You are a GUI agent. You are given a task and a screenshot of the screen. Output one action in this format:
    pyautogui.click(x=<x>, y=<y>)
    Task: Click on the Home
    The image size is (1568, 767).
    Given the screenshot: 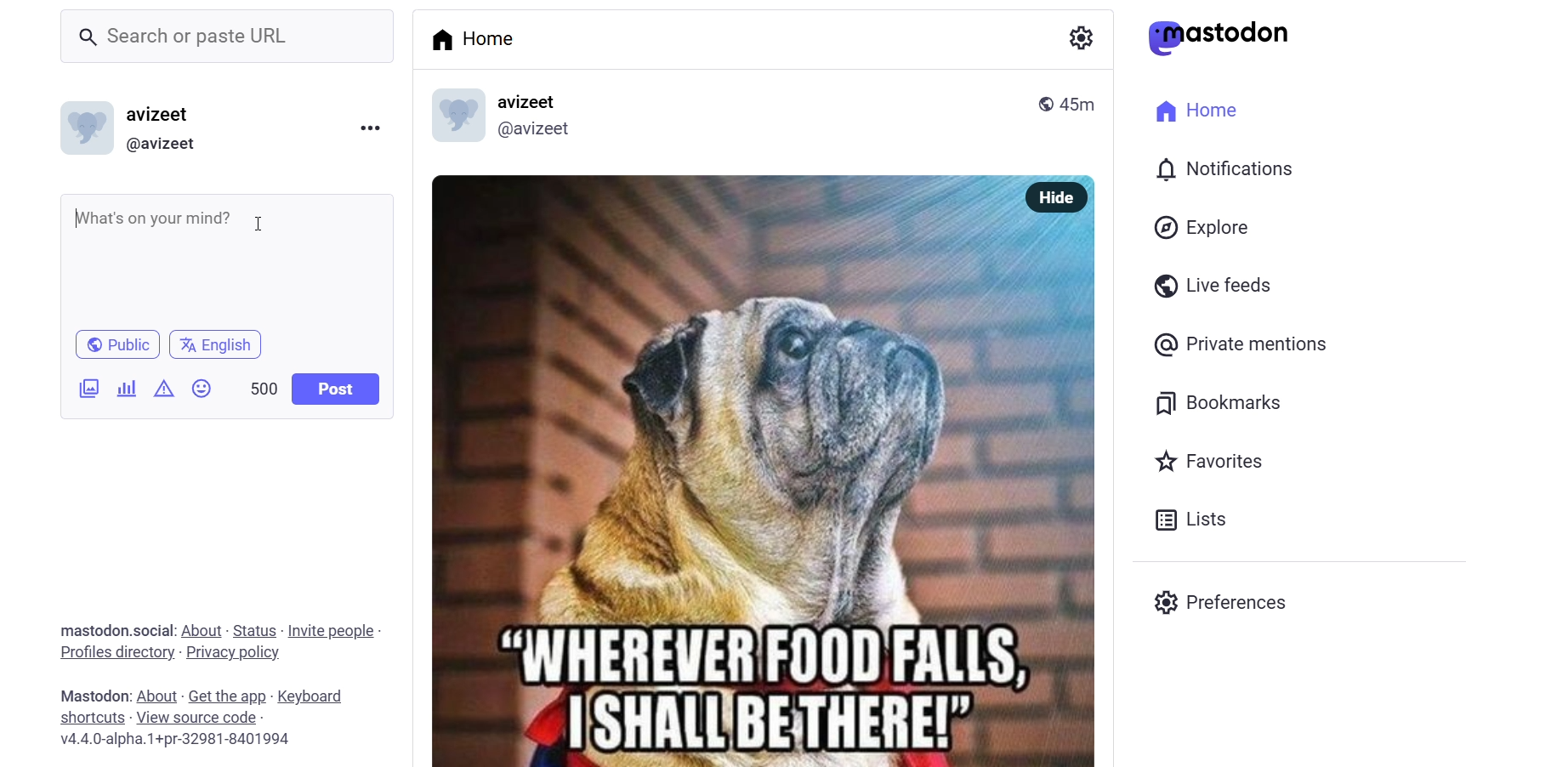 What is the action you would take?
    pyautogui.click(x=1209, y=114)
    